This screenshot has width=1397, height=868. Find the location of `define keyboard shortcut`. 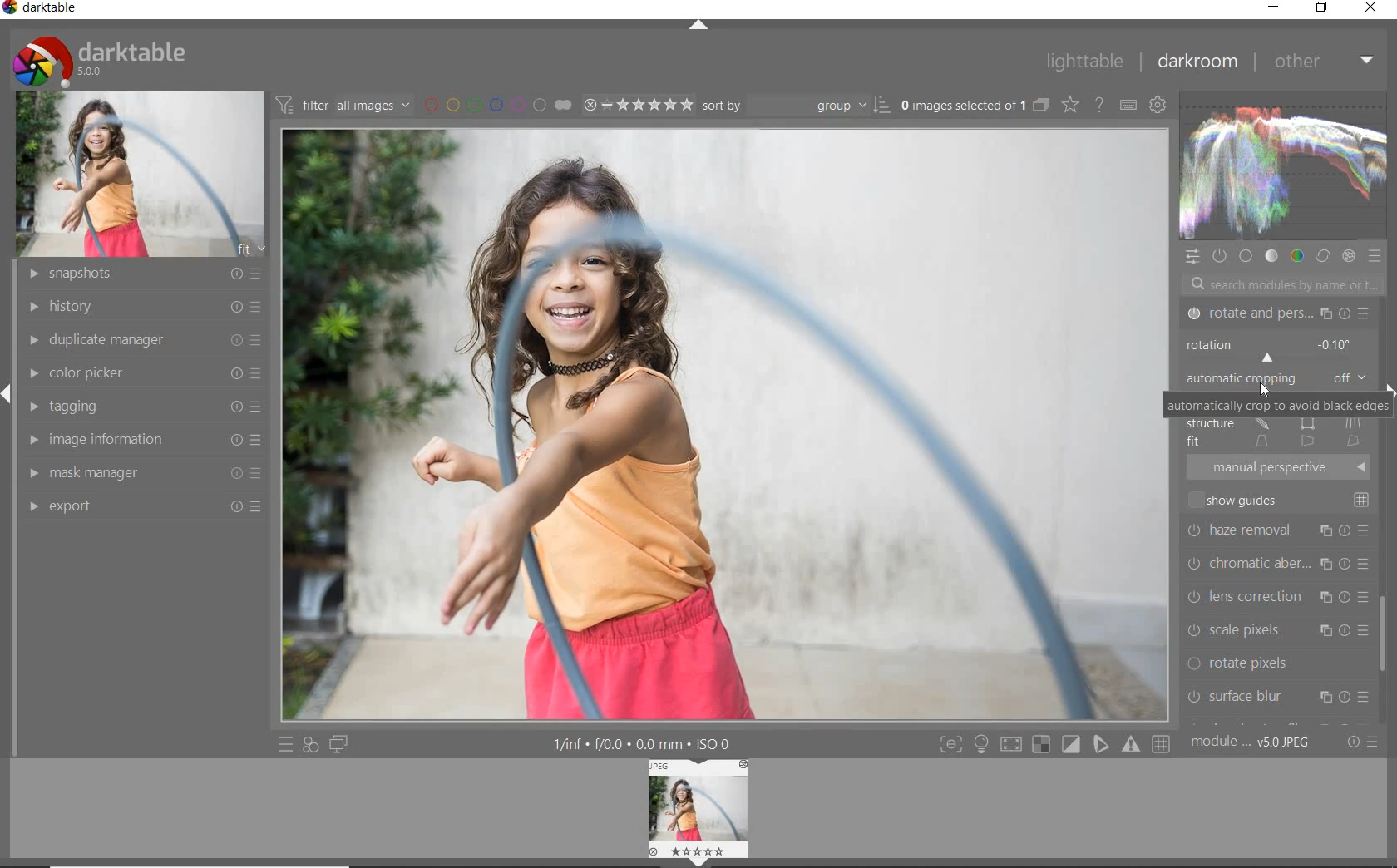

define keyboard shortcut is located at coordinates (1128, 106).